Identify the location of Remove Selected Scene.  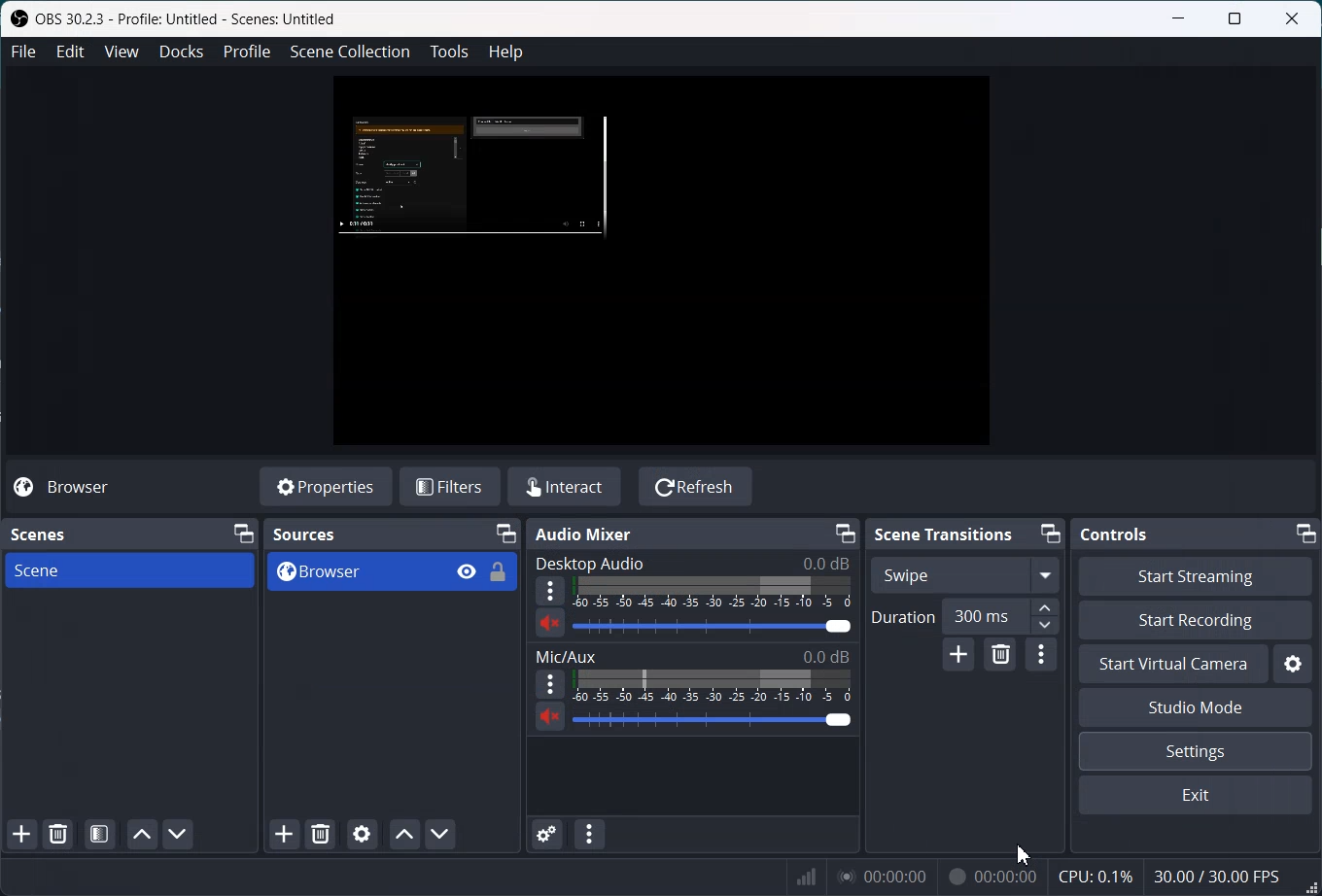
(58, 834).